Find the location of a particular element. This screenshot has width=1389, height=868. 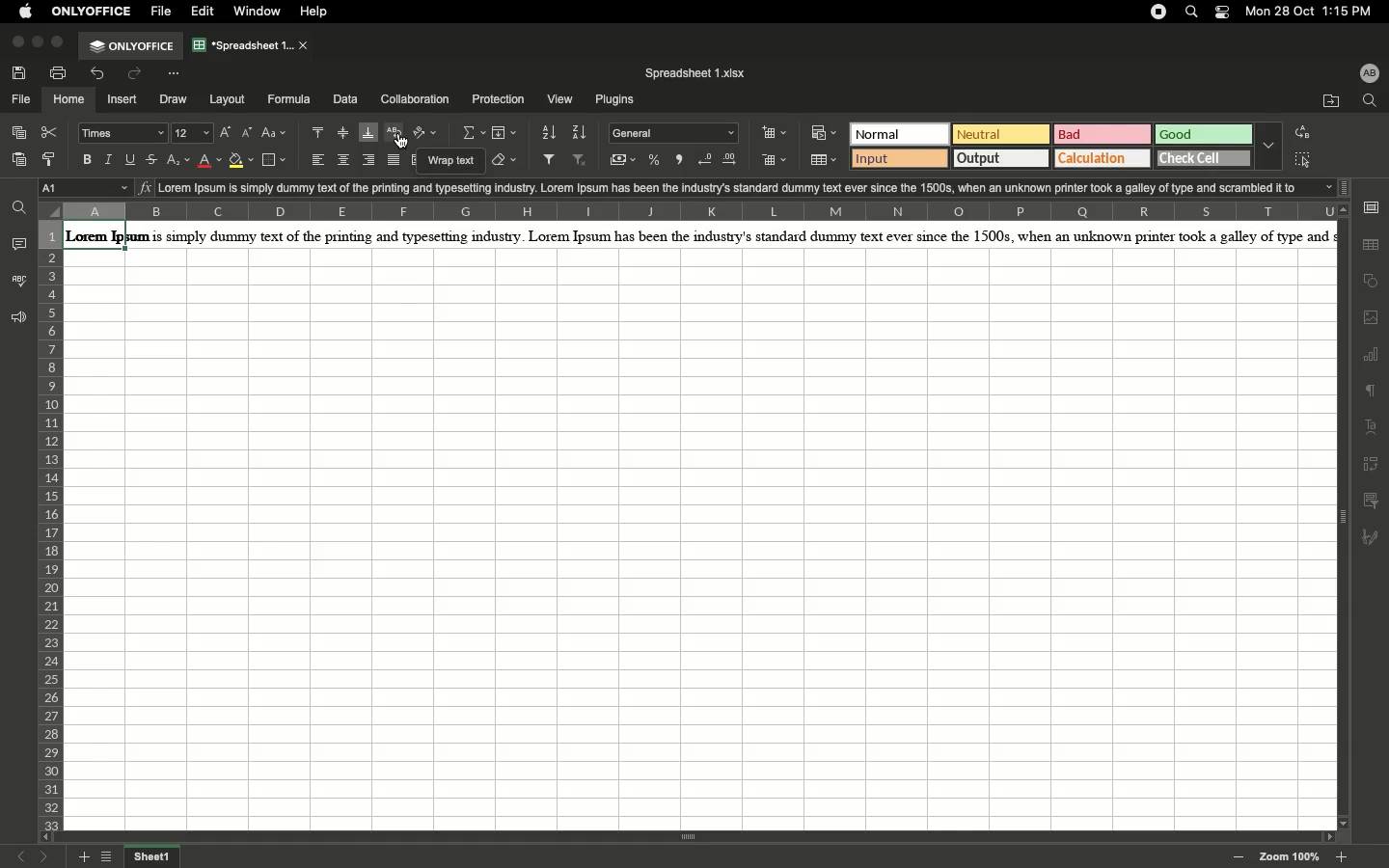

List of sheets is located at coordinates (110, 856).